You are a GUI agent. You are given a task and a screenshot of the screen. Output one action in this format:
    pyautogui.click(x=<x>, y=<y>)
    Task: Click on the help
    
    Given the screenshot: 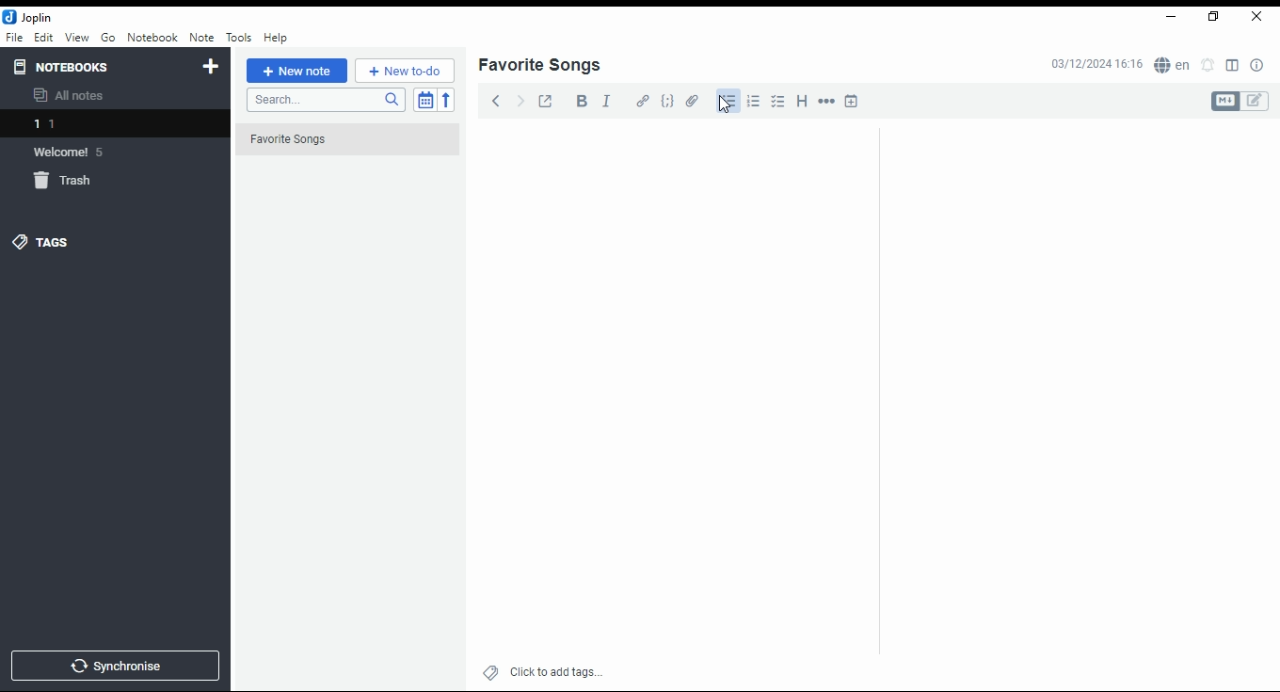 What is the action you would take?
    pyautogui.click(x=275, y=38)
    